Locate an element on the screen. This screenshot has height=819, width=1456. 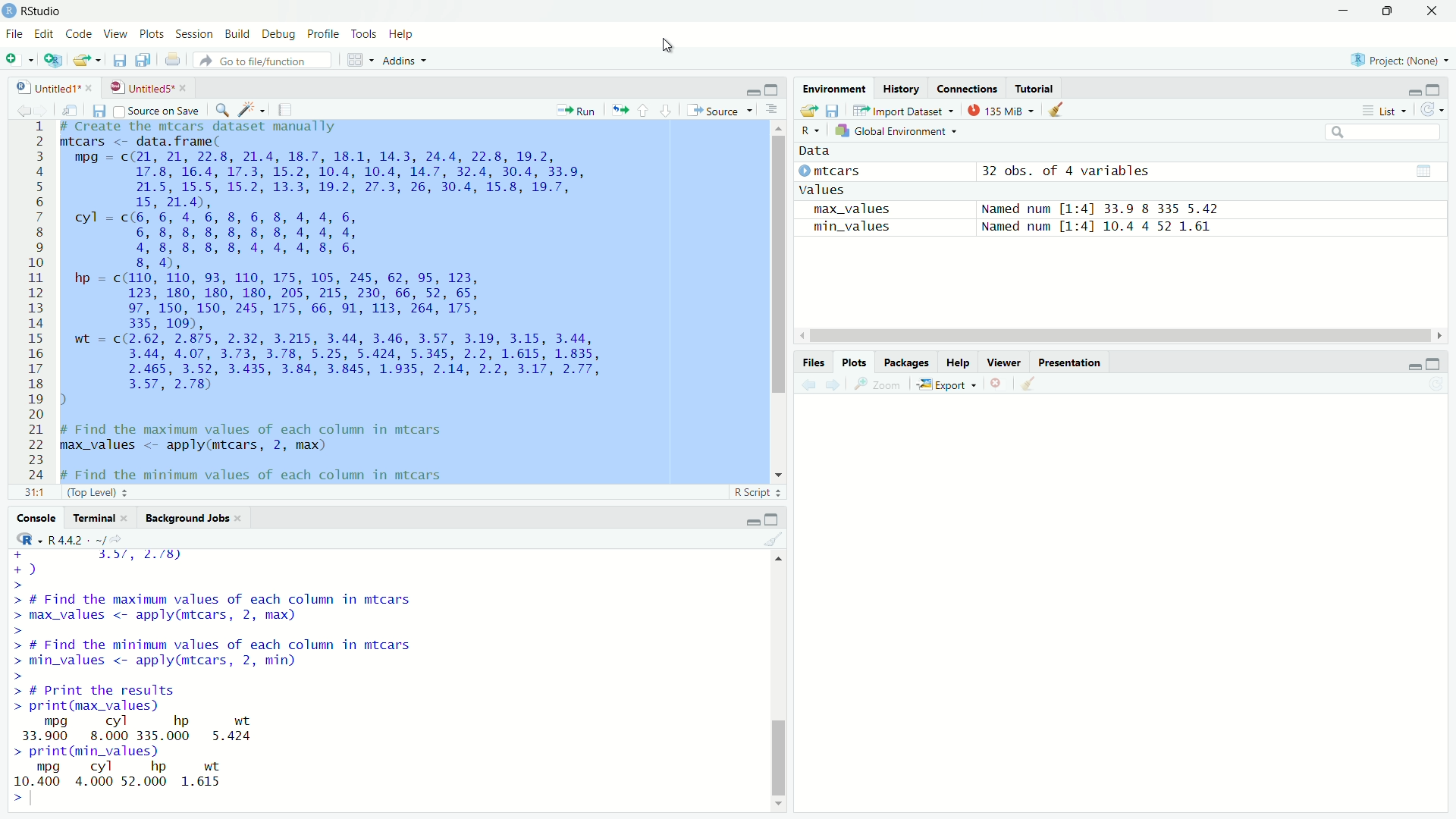
Tools is located at coordinates (362, 33).